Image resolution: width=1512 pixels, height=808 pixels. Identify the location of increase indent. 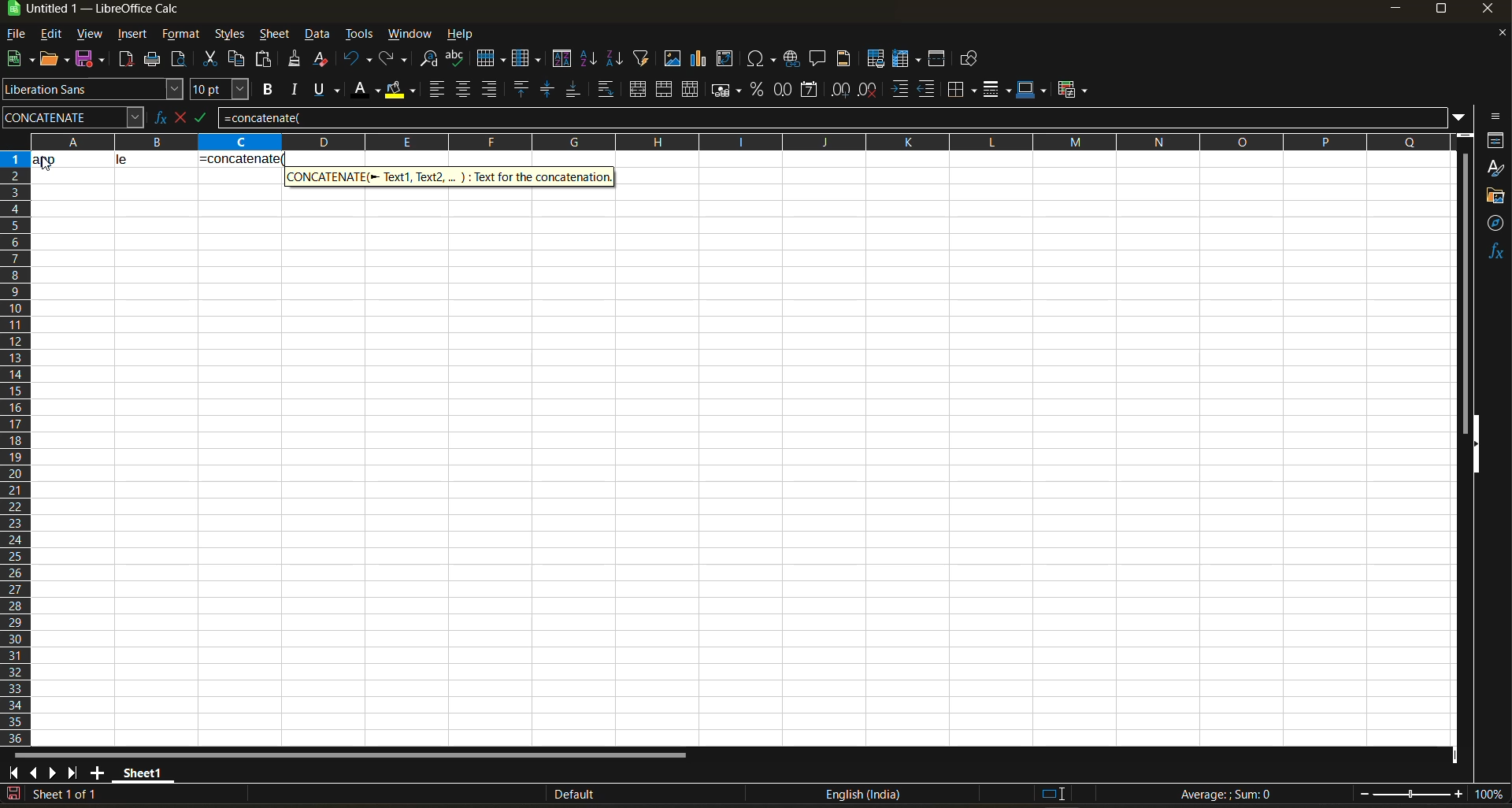
(902, 90).